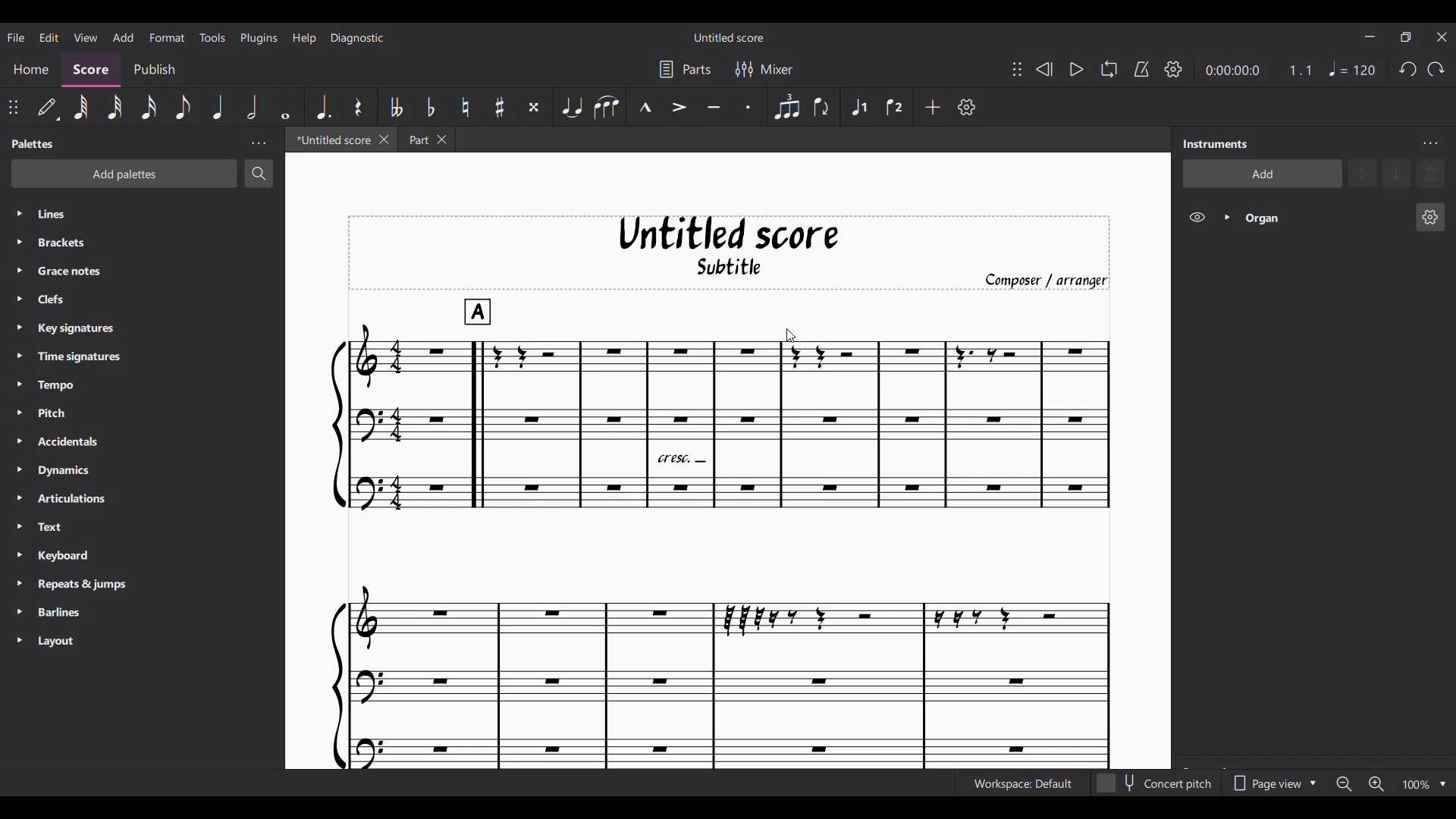 This screenshot has width=1456, height=819. I want to click on Toggle for Concert pitch, so click(1156, 783).